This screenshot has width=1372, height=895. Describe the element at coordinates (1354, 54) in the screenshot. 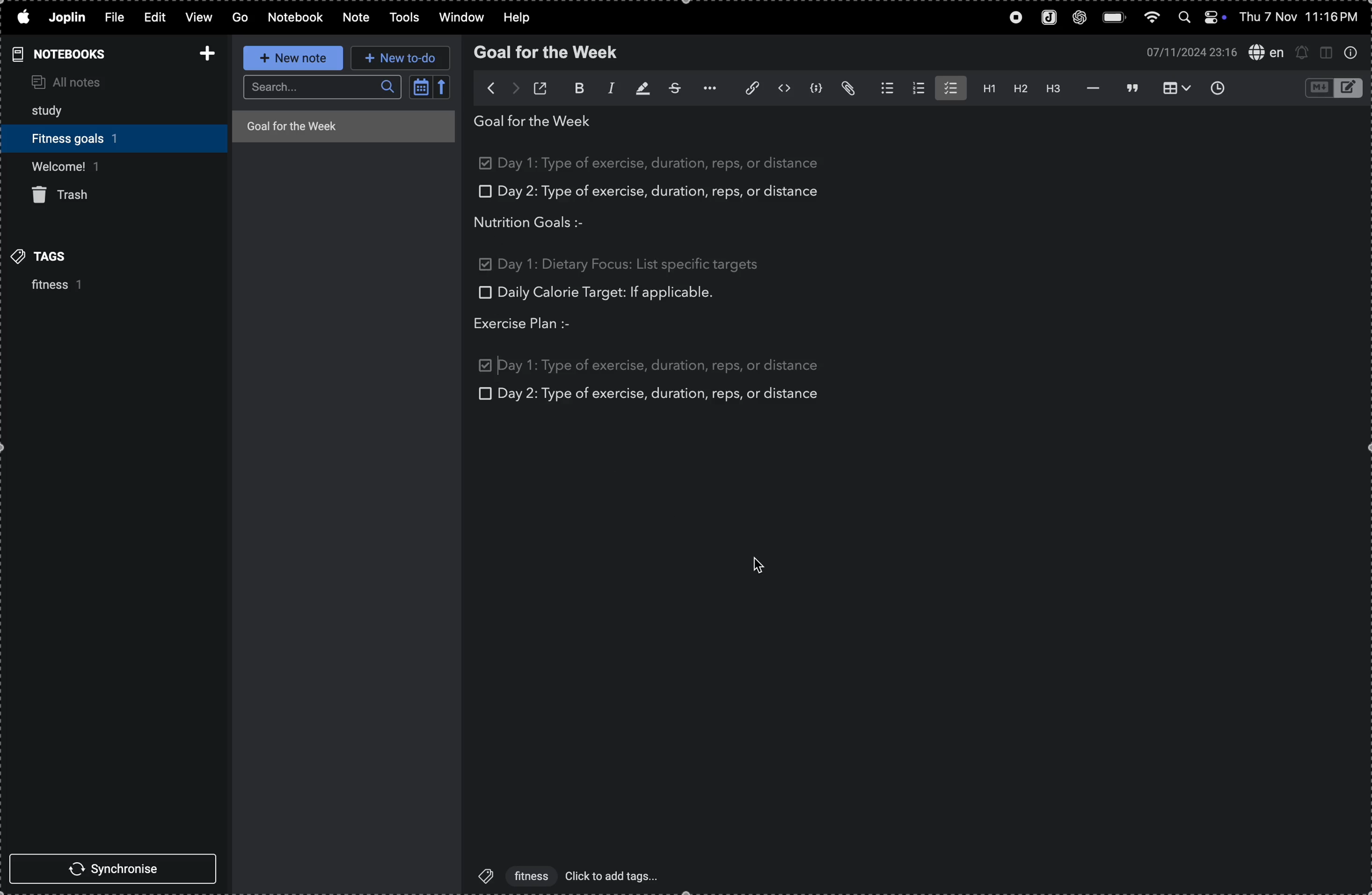

I see `info` at that location.